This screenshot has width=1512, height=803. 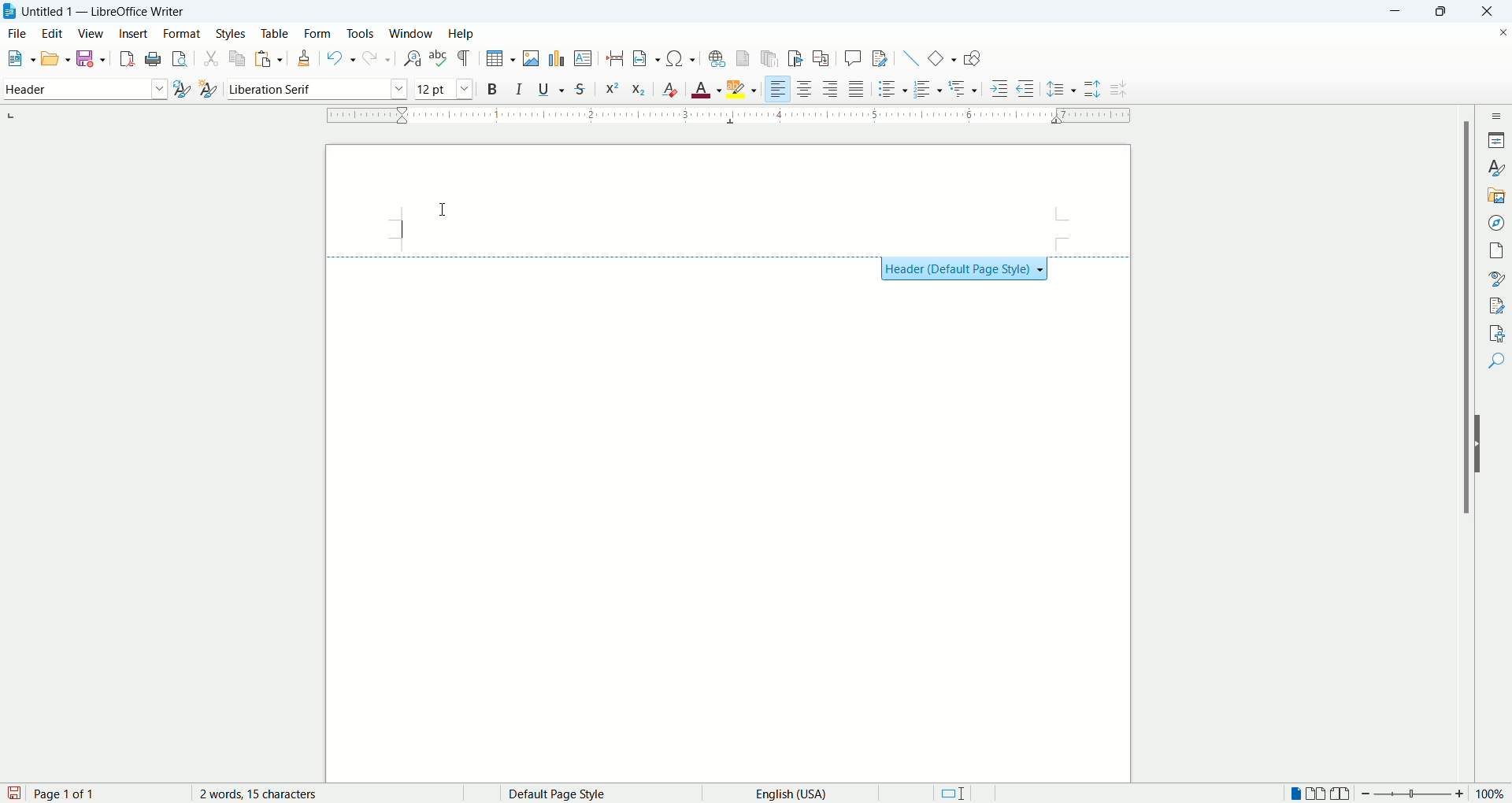 What do you see at coordinates (822, 56) in the screenshot?
I see `insert cross references` at bounding box center [822, 56].